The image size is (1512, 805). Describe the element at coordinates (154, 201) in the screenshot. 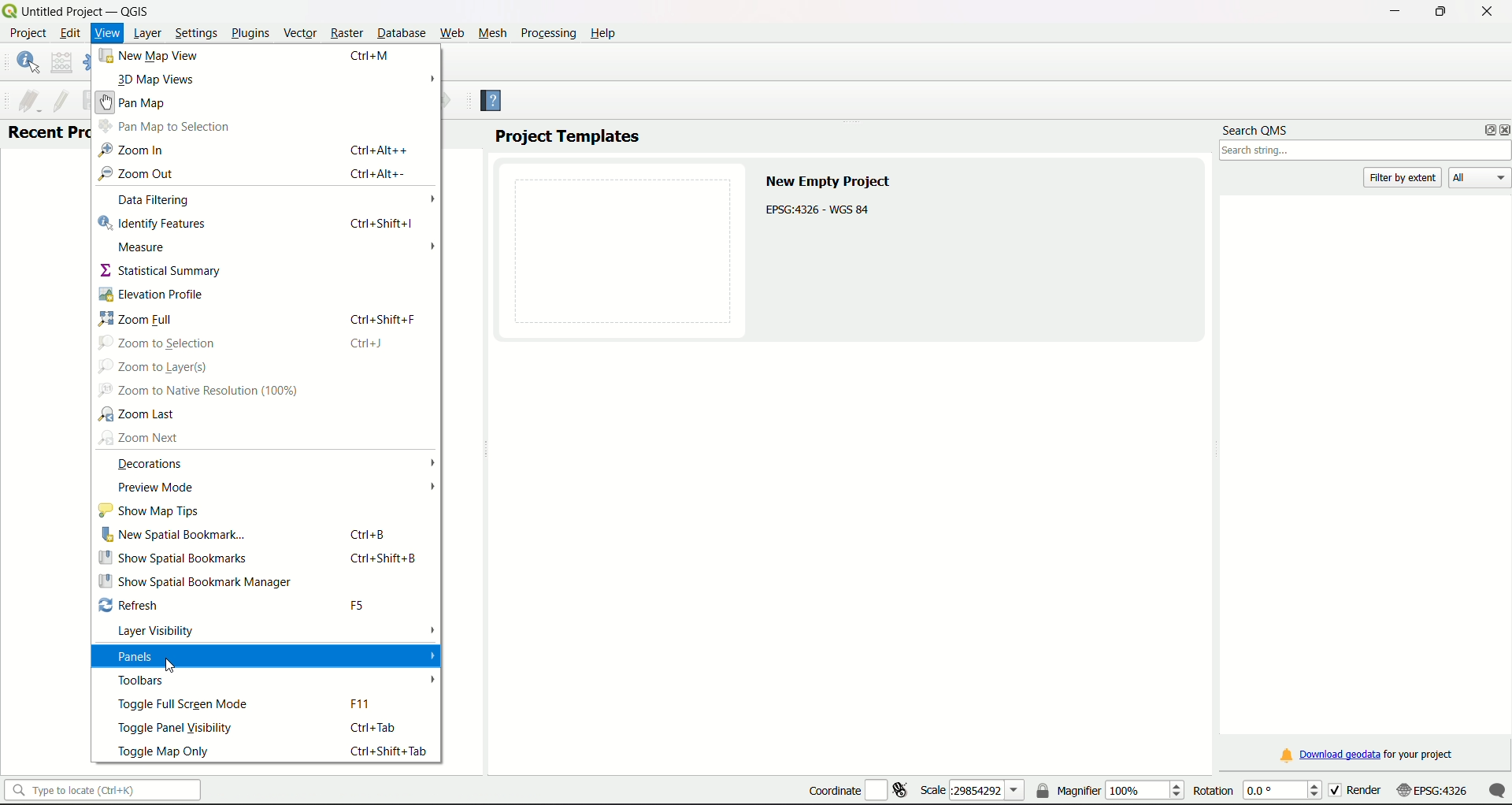

I see `data filtering` at that location.